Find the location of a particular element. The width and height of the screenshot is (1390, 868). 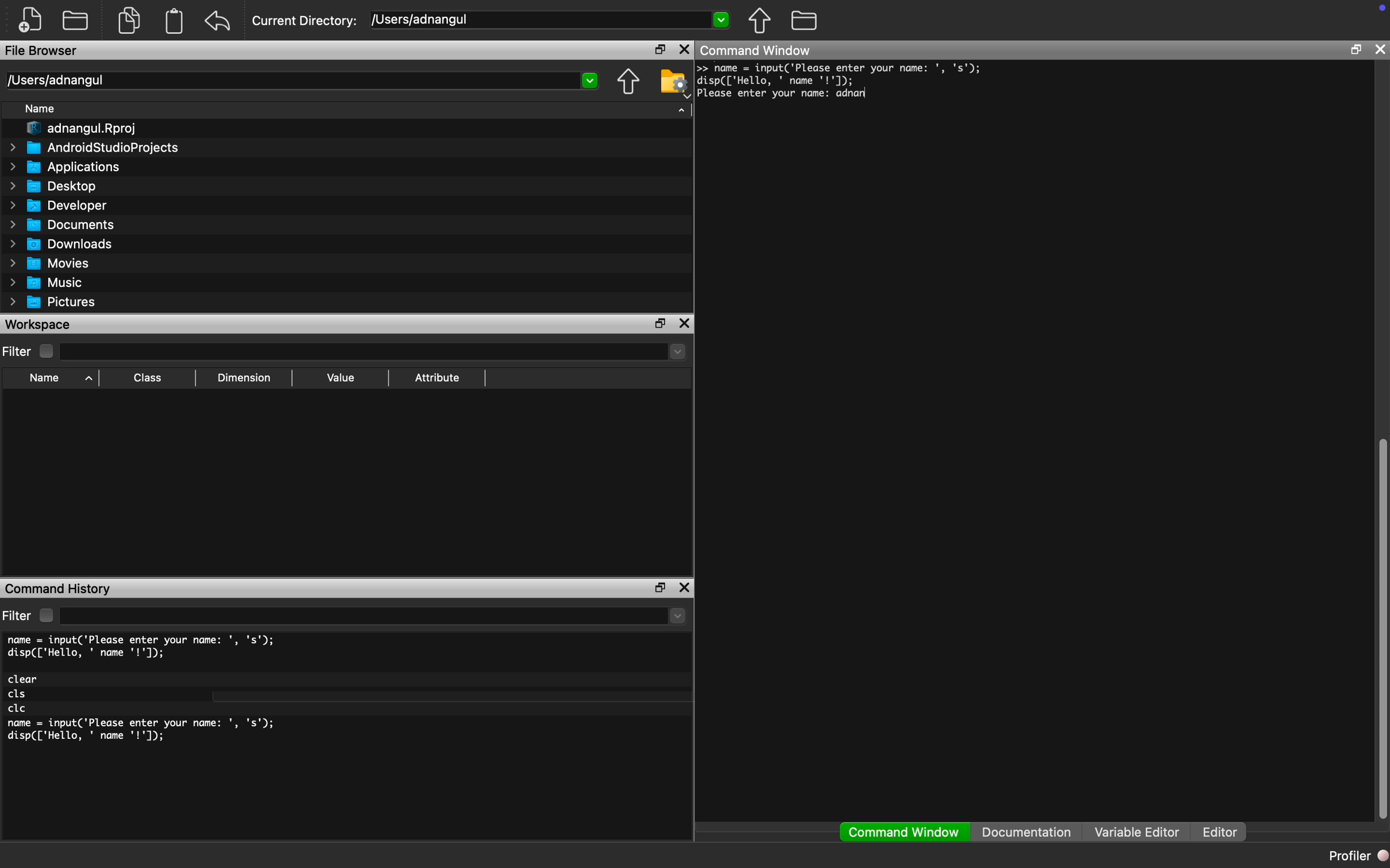

close is located at coordinates (685, 587).